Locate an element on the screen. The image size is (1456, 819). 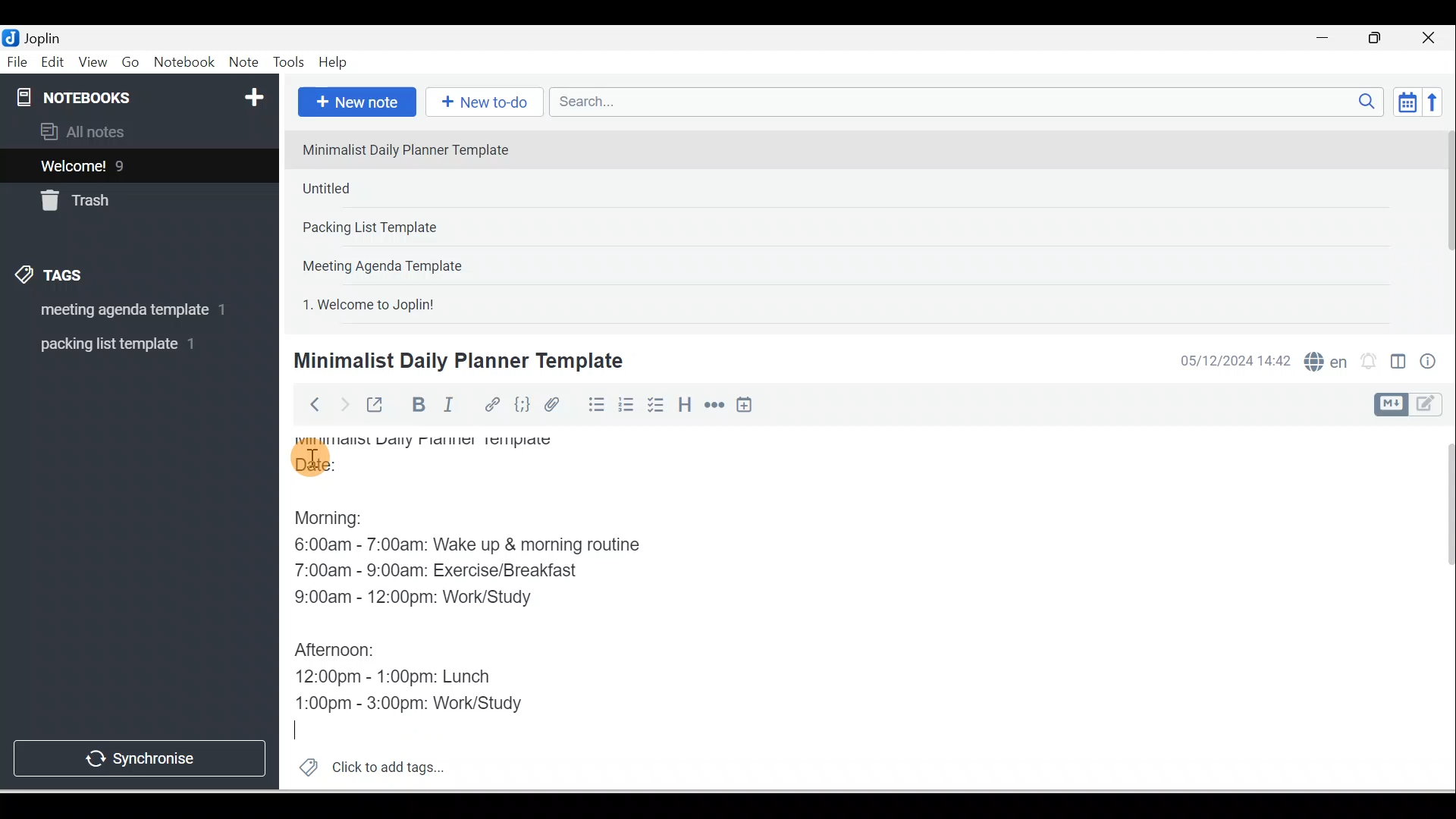
All notes is located at coordinates (137, 131).